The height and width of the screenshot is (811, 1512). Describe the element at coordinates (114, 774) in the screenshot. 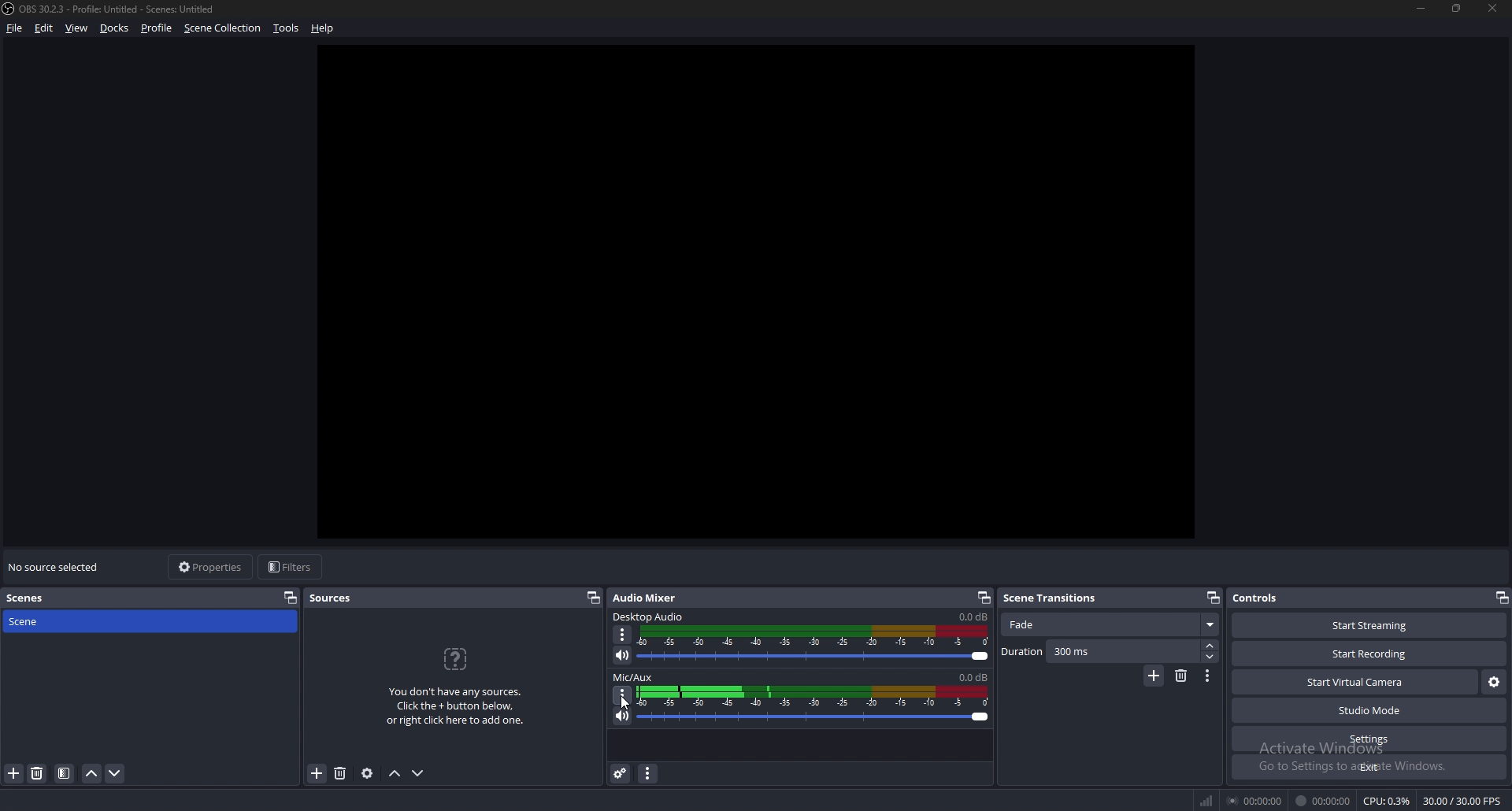

I see `move scene down` at that location.